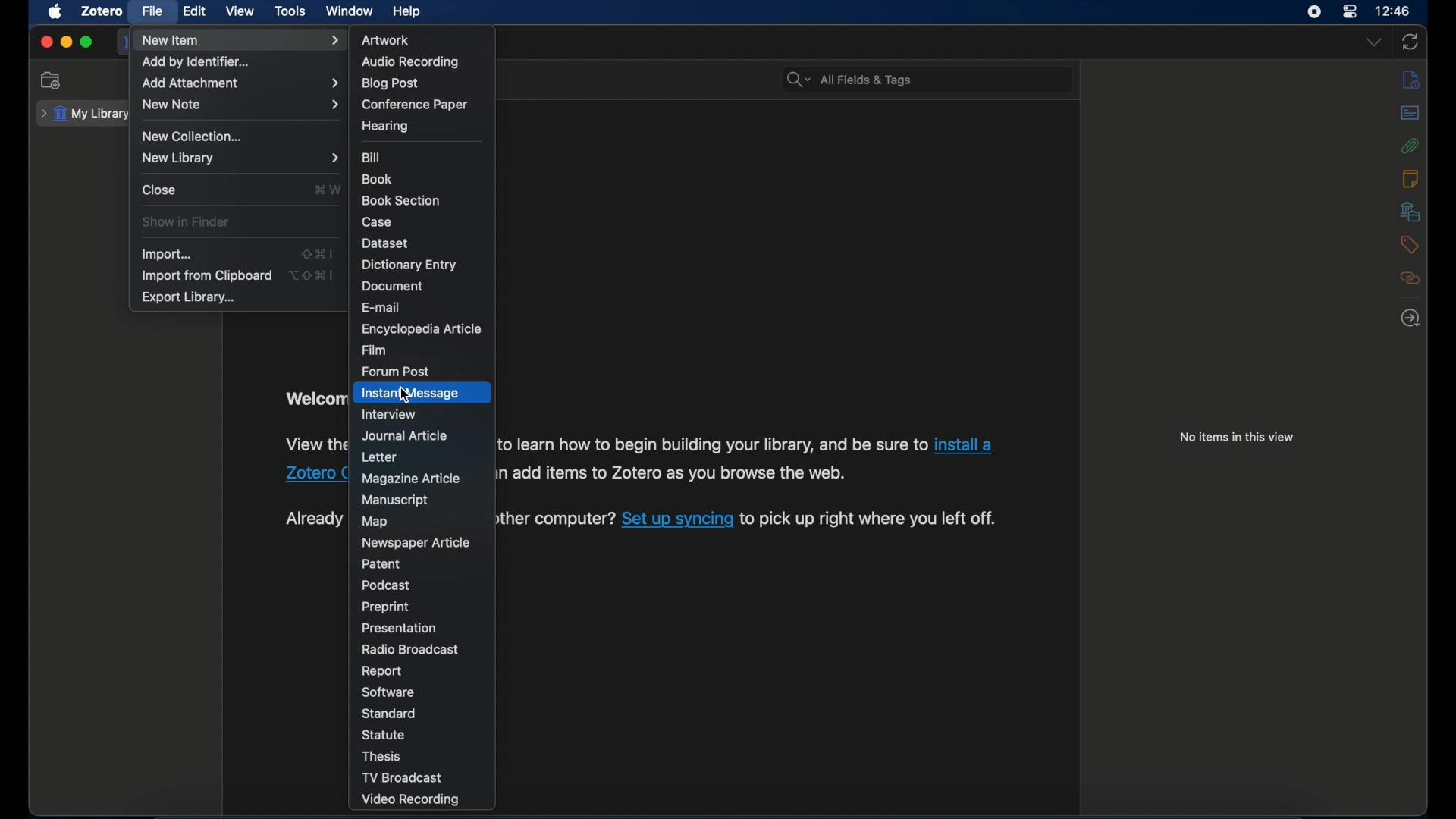  I want to click on add attachment, so click(240, 83).